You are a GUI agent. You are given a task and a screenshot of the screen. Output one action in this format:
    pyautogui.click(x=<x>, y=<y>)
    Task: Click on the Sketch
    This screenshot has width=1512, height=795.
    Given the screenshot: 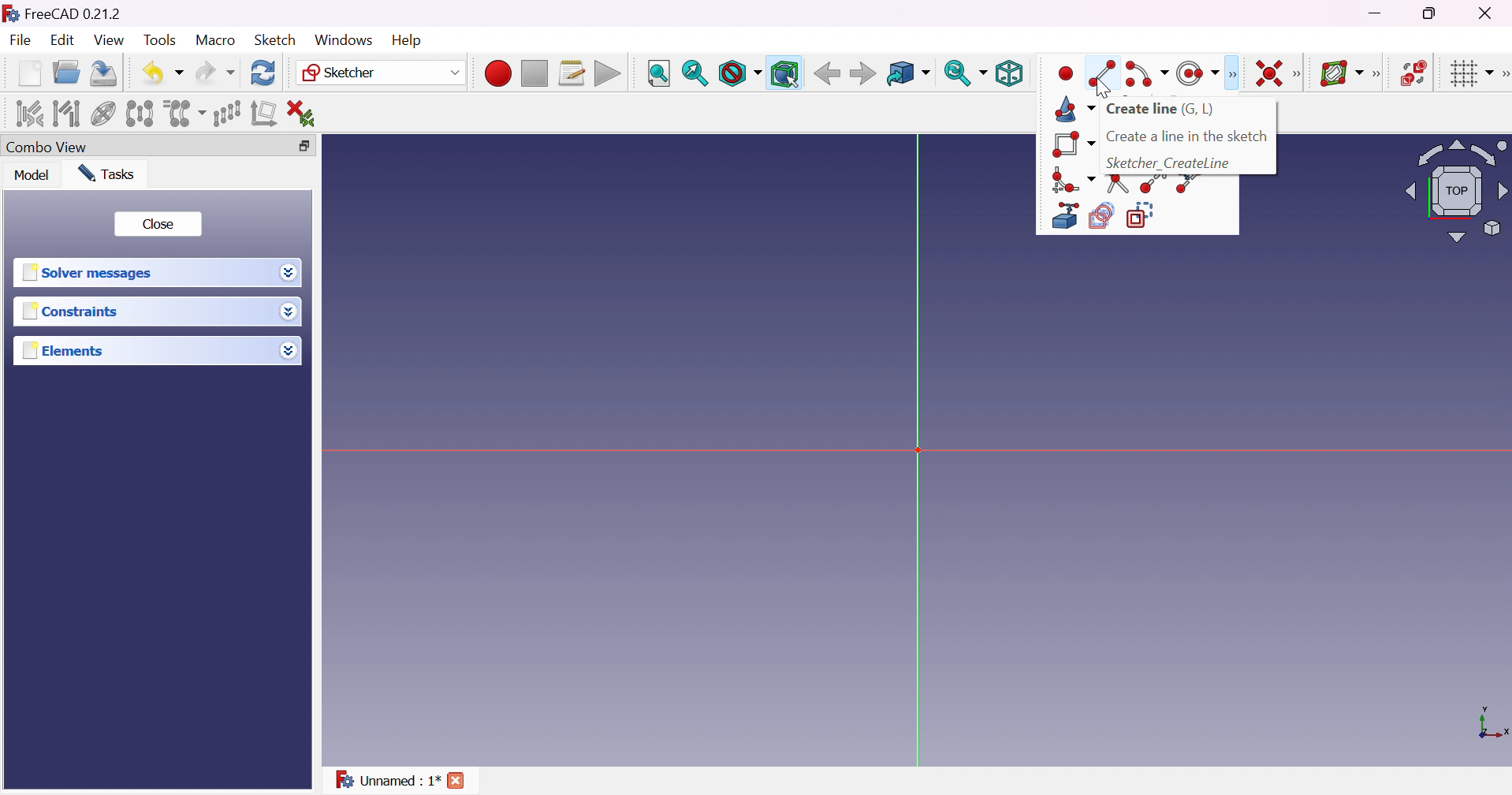 What is the action you would take?
    pyautogui.click(x=277, y=40)
    